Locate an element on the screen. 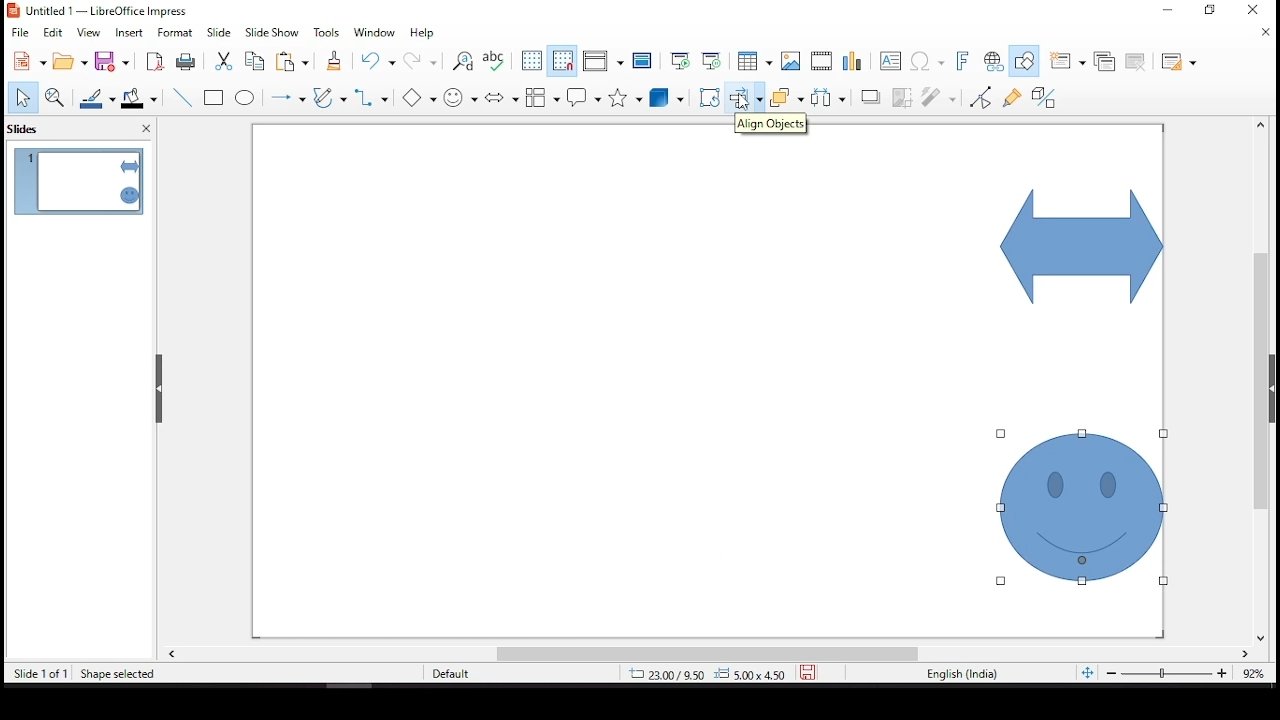  display views is located at coordinates (603, 61).